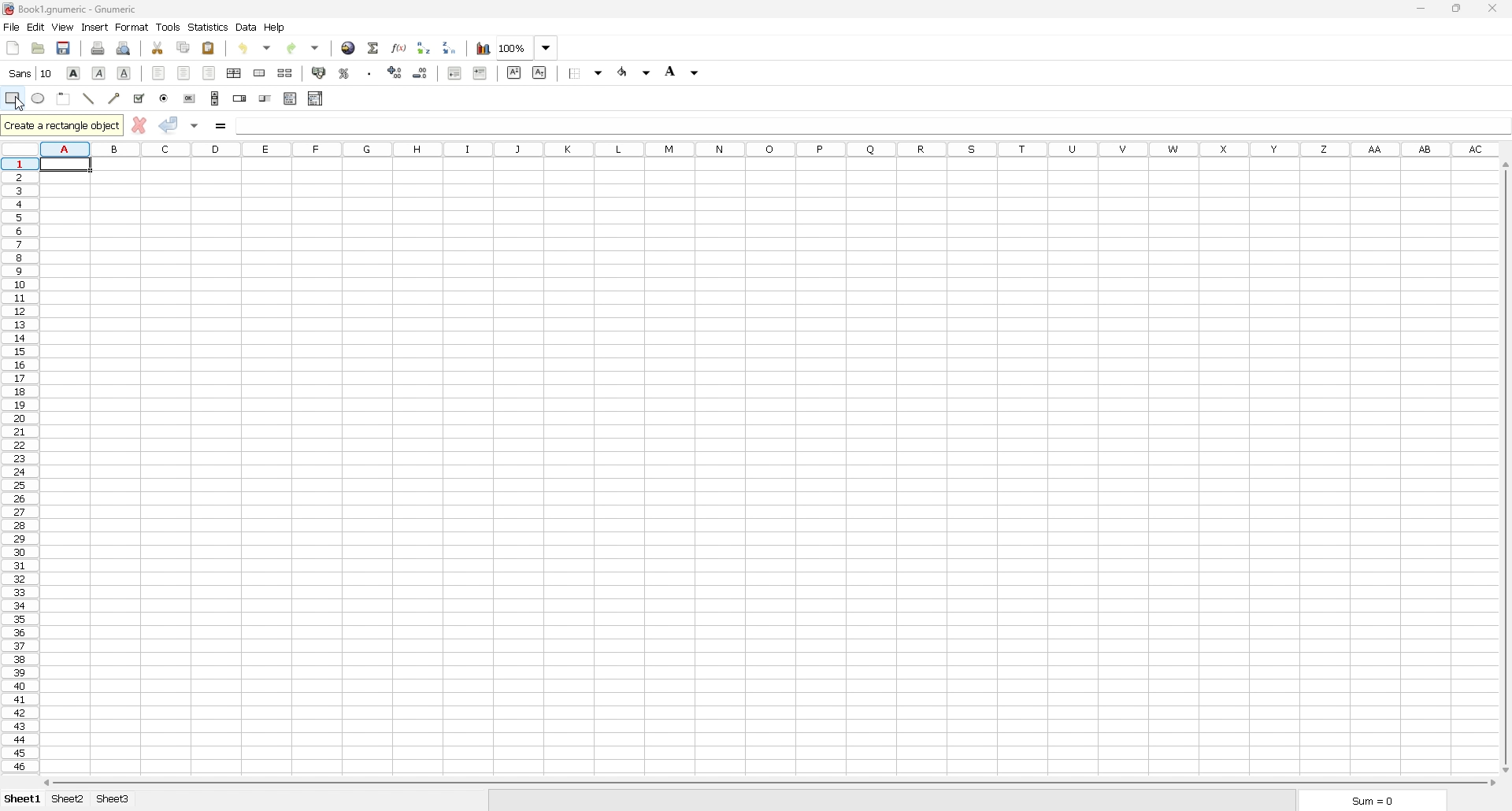 The image size is (1512, 811). Describe the element at coordinates (275, 27) in the screenshot. I see `help` at that location.